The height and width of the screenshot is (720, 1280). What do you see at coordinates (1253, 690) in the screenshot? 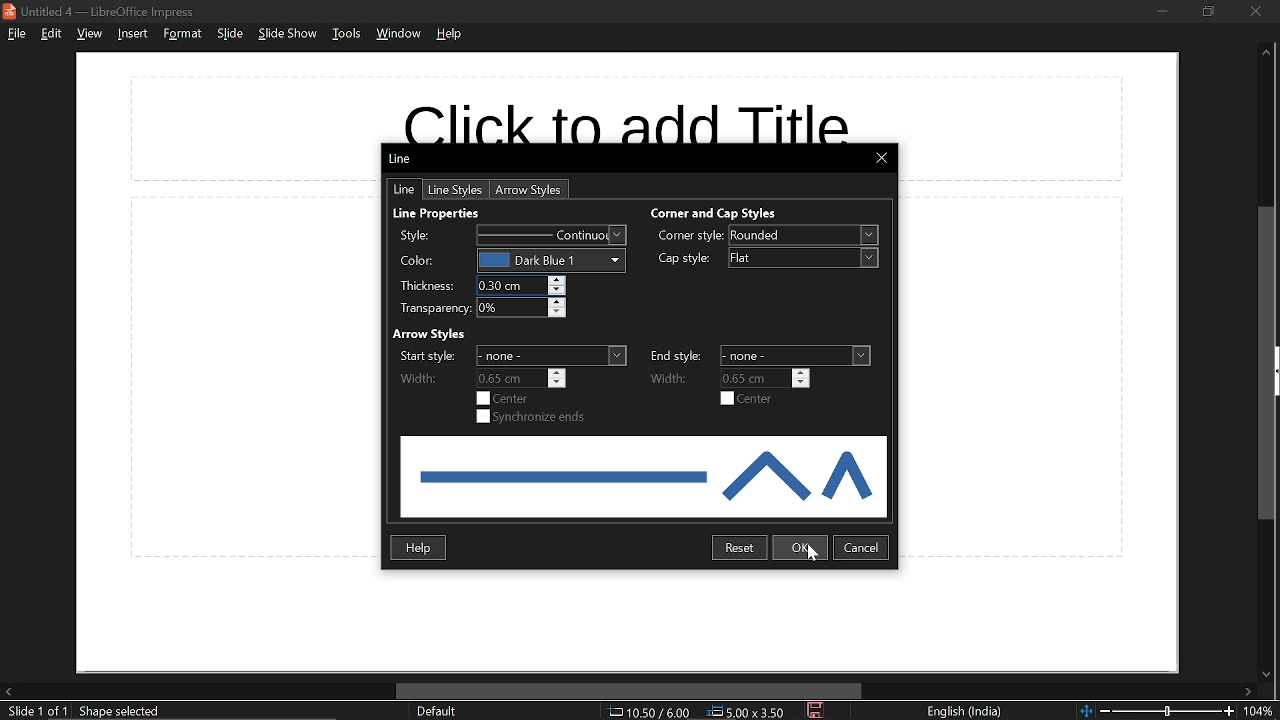
I see `move right` at bounding box center [1253, 690].